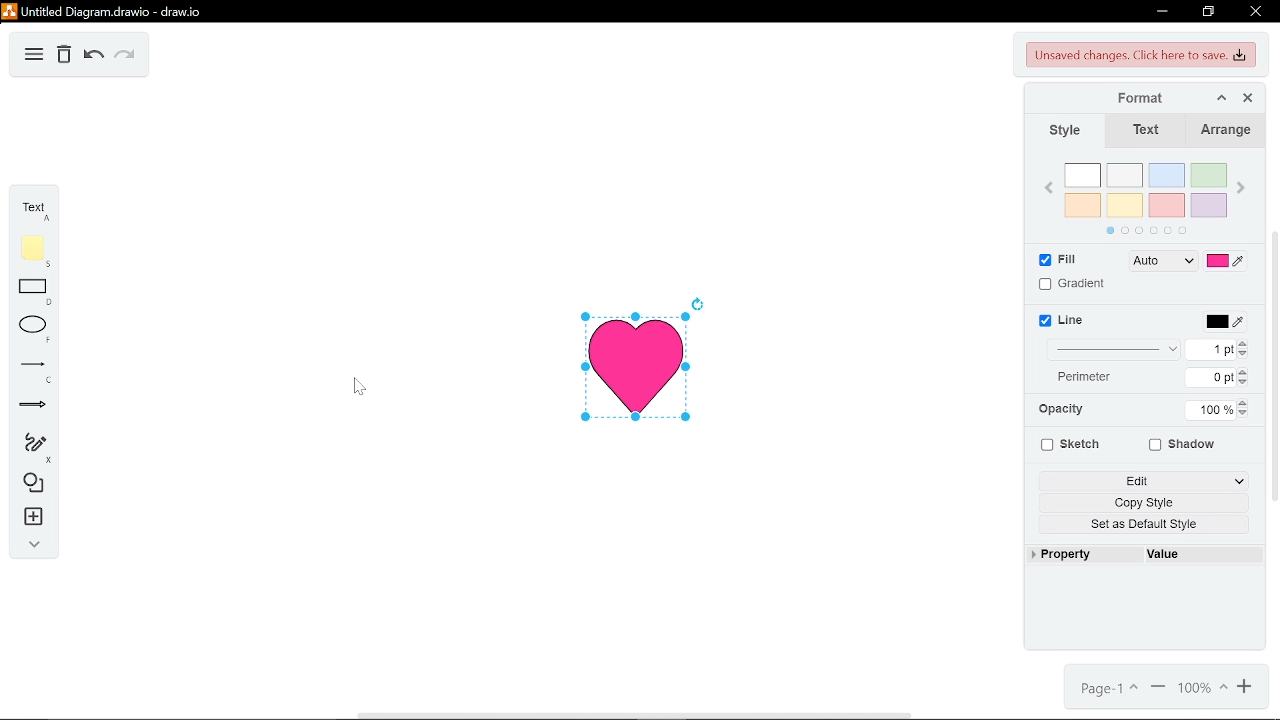 The image size is (1280, 720). Describe the element at coordinates (1226, 132) in the screenshot. I see `arrange` at that location.